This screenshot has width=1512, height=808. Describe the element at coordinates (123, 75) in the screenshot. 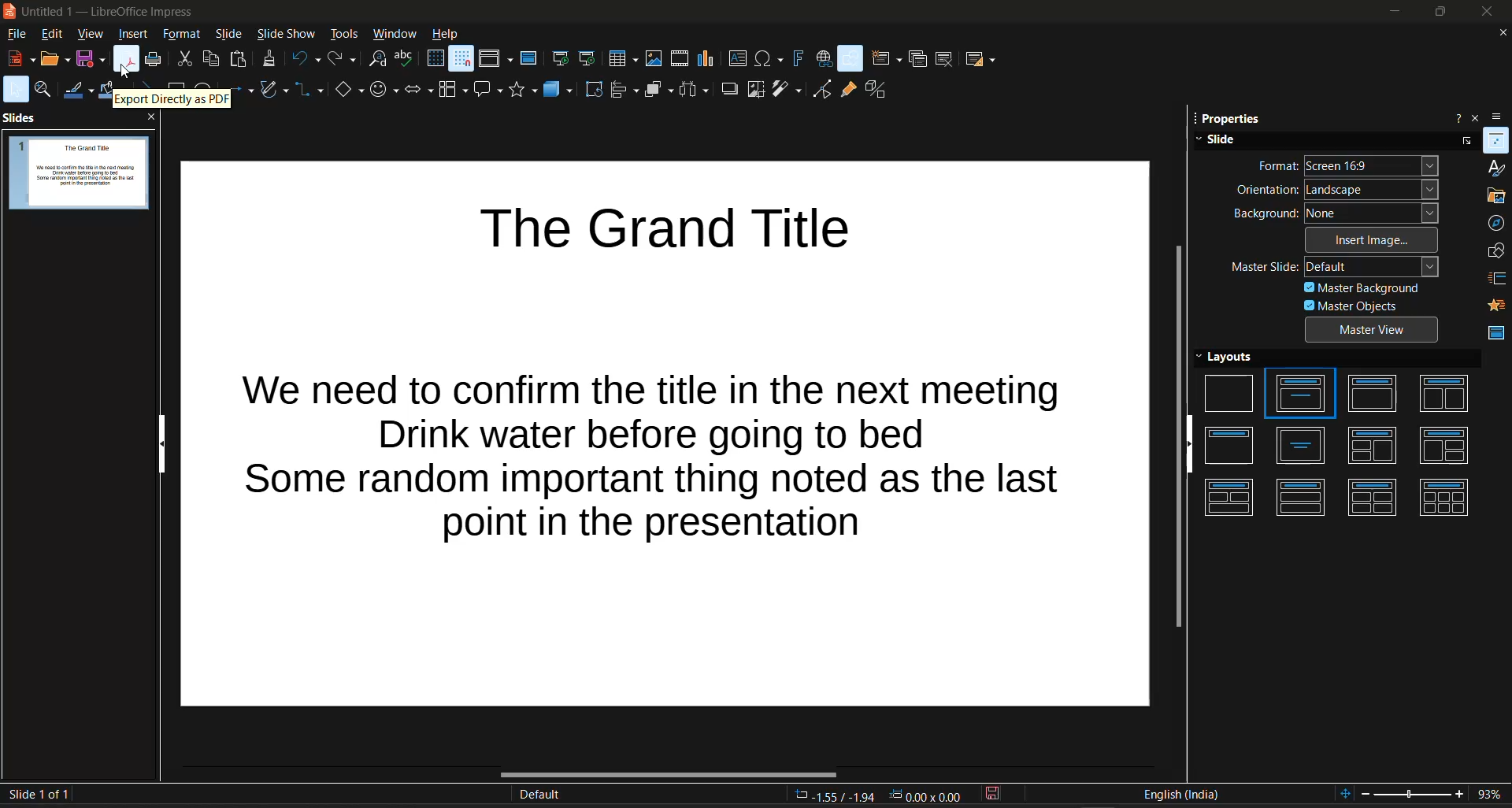

I see `cursor` at that location.